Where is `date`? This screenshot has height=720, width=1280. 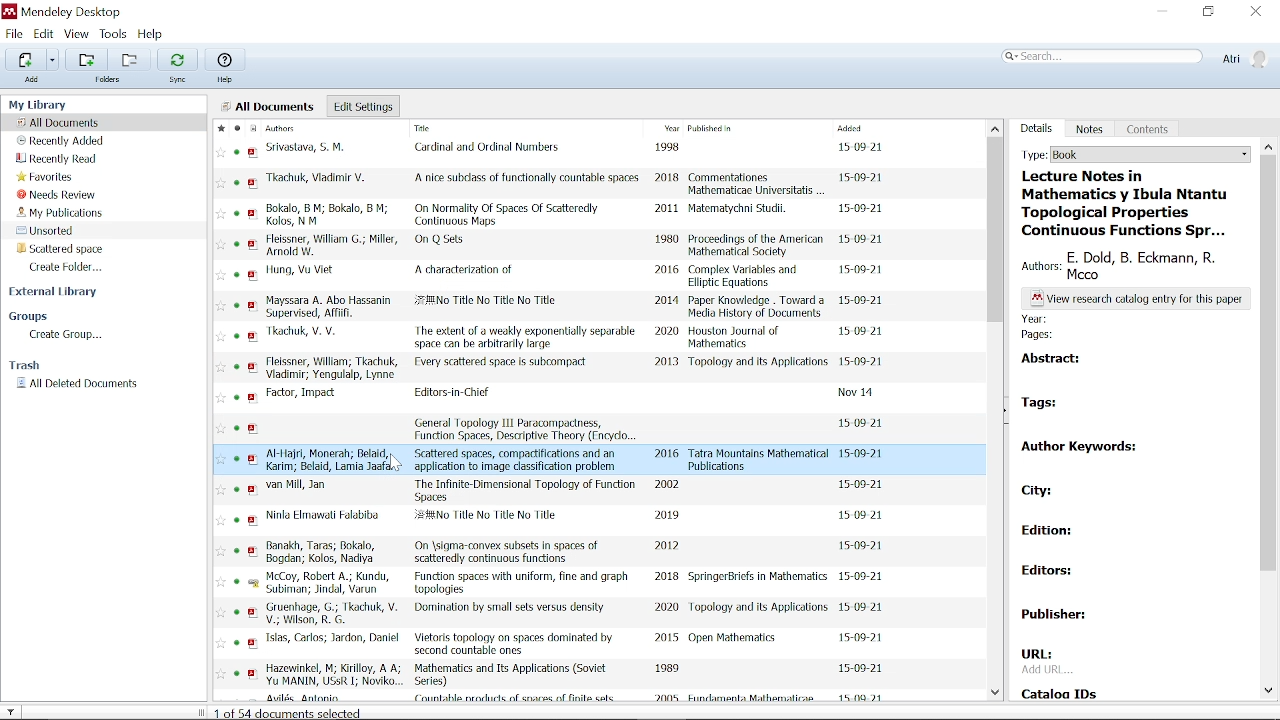
date is located at coordinates (865, 273).